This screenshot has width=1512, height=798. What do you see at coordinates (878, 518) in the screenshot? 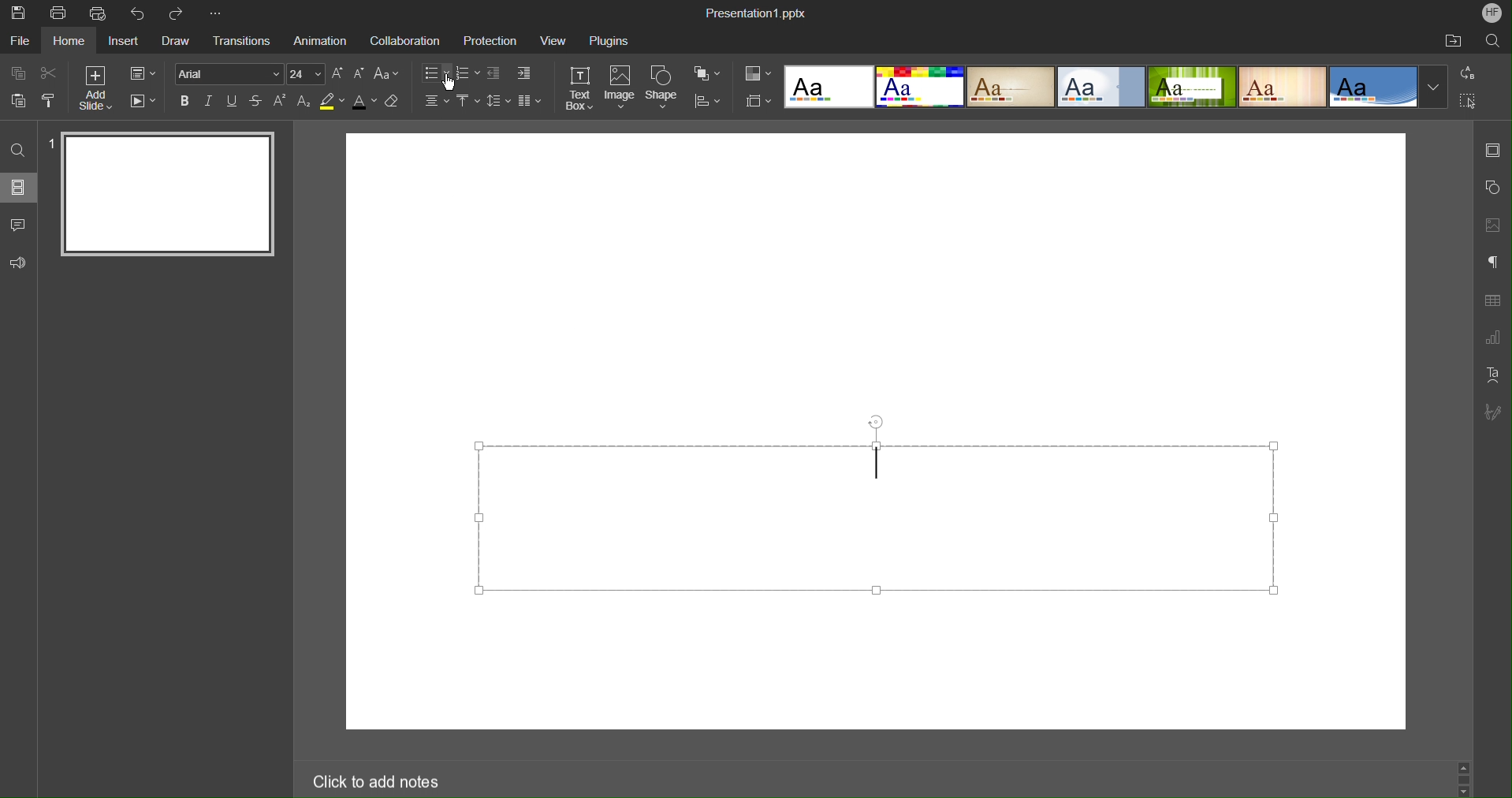
I see `text editor` at bounding box center [878, 518].